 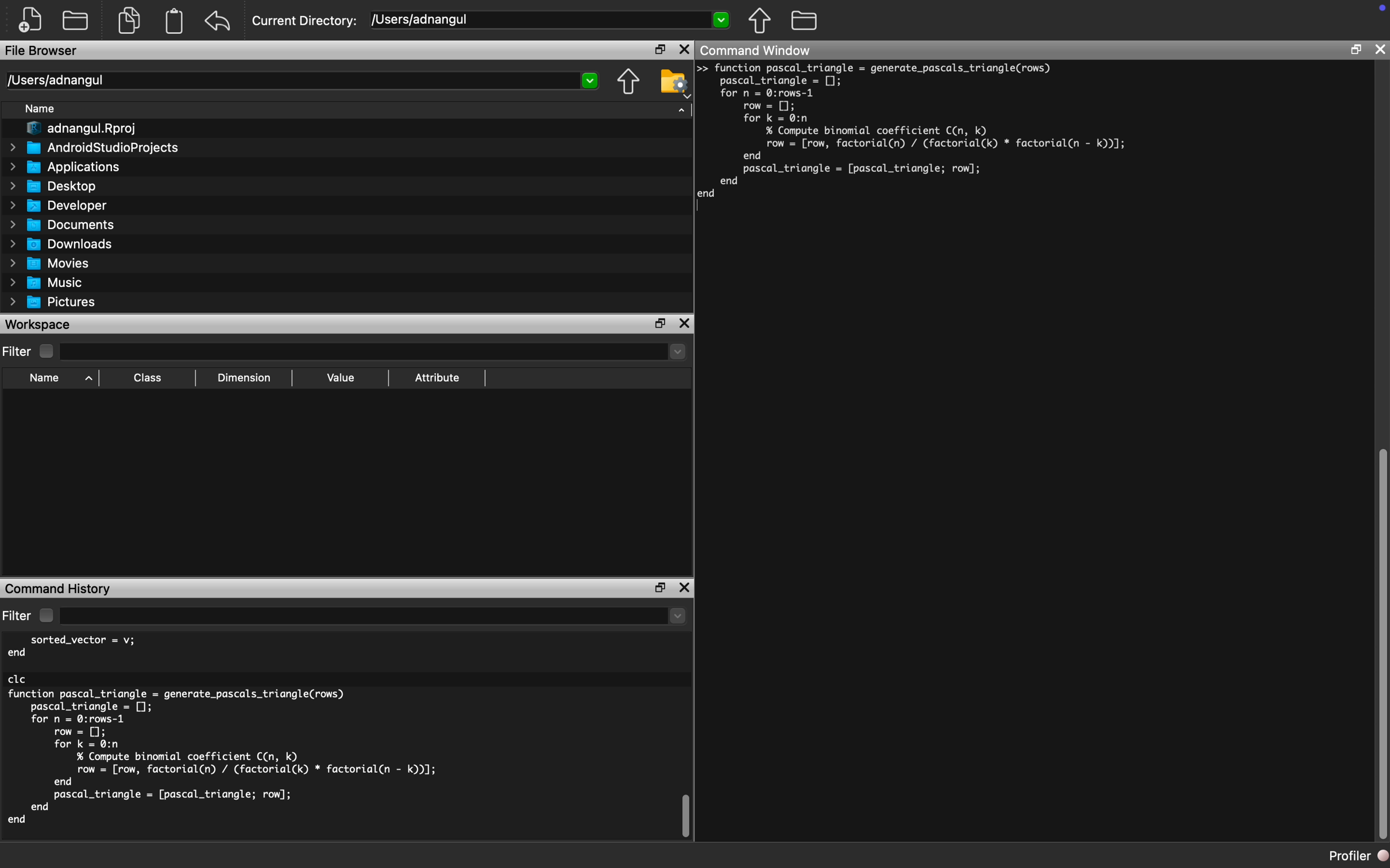 I want to click on Close, so click(x=1379, y=49).